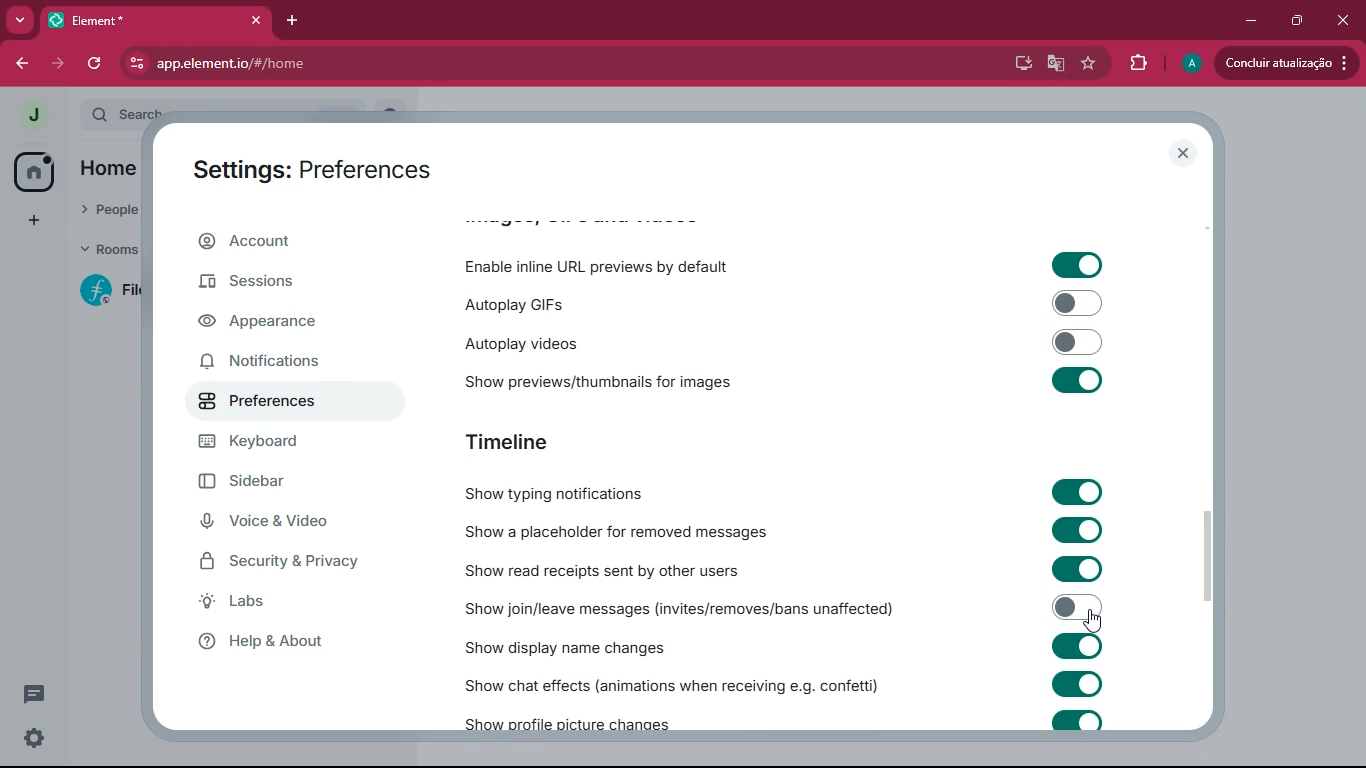  I want to click on toggle on/off, so click(1077, 720).